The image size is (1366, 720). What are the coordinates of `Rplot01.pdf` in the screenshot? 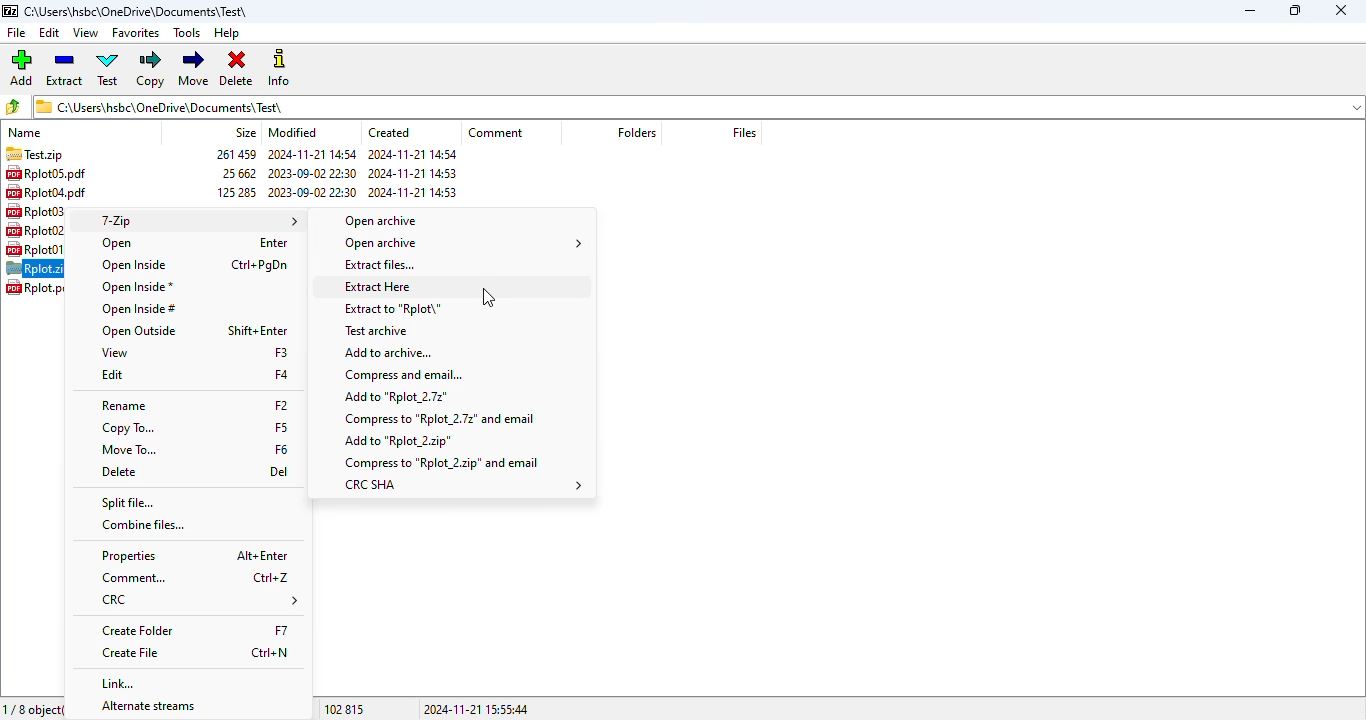 It's located at (45, 249).